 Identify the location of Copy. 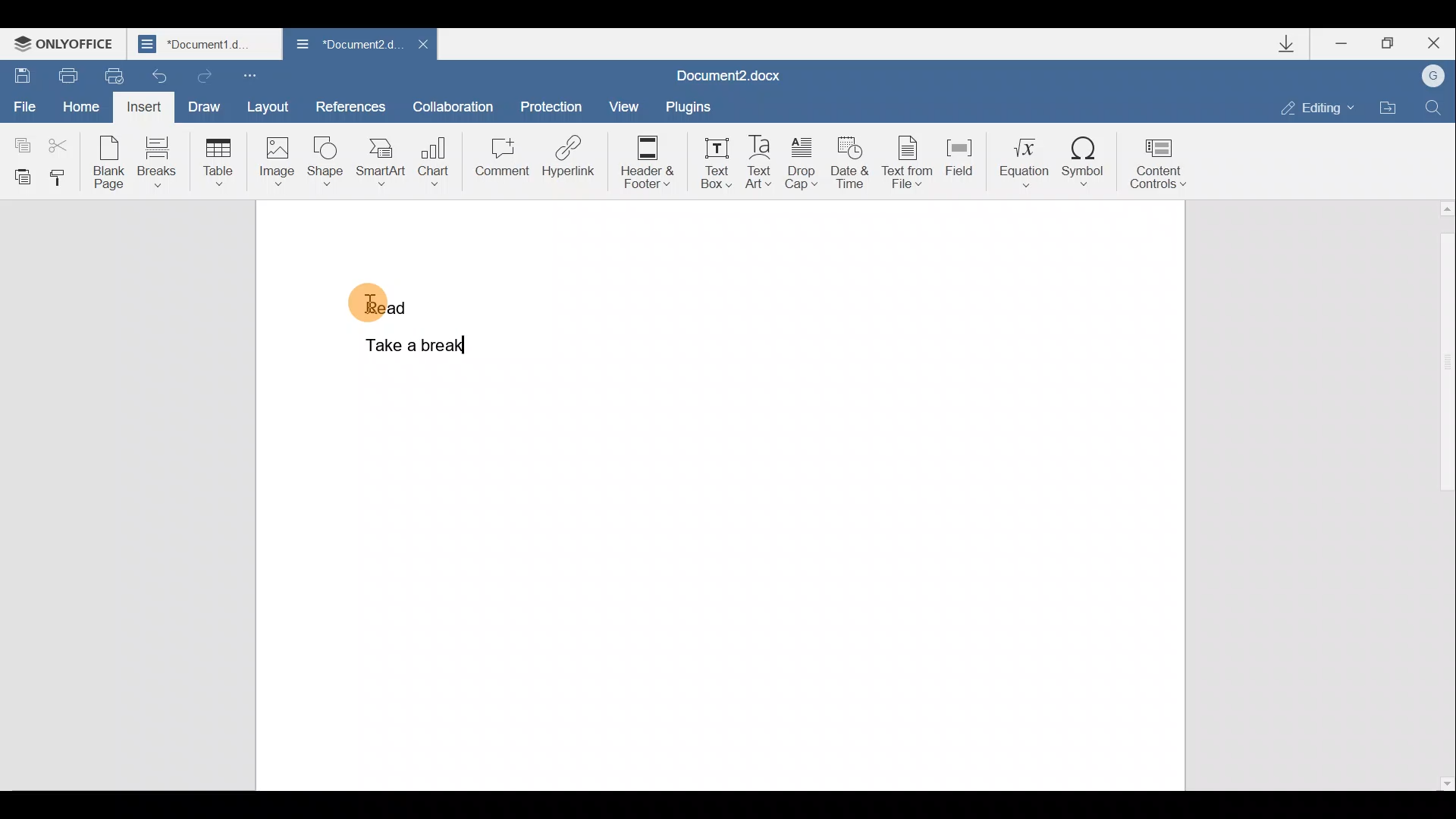
(20, 137).